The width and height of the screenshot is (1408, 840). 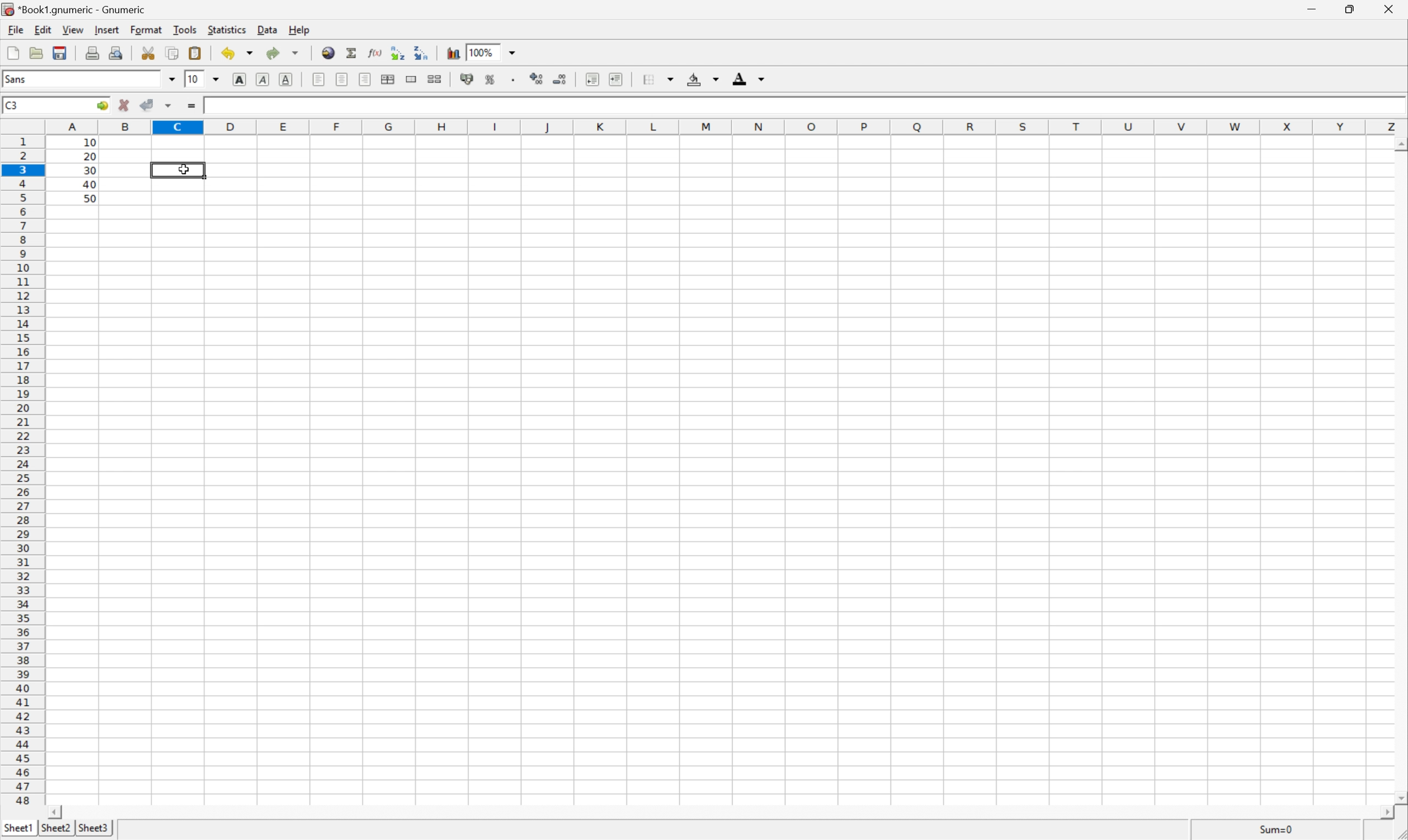 I want to click on Font color, so click(x=740, y=76).